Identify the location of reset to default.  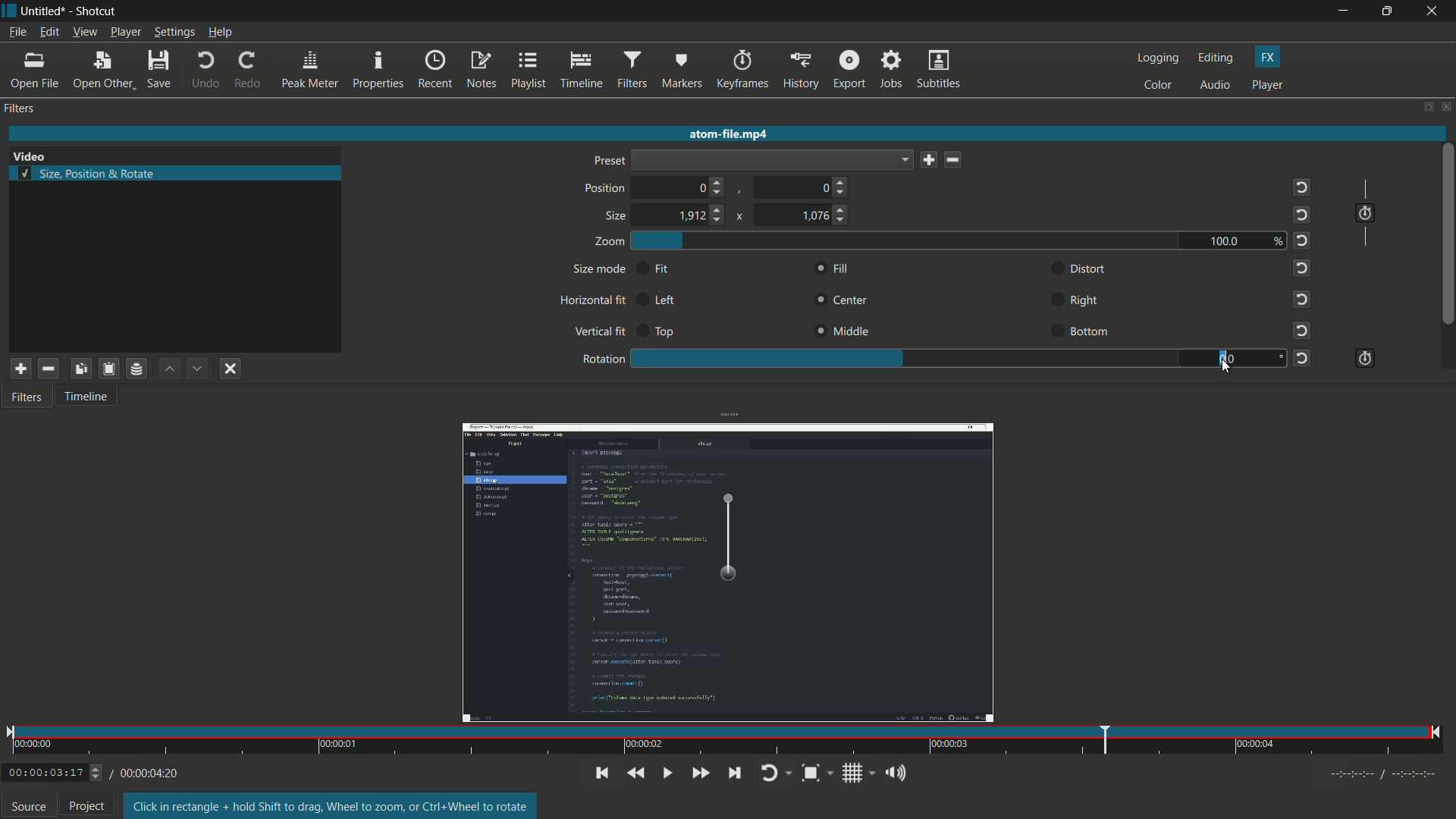
(1303, 298).